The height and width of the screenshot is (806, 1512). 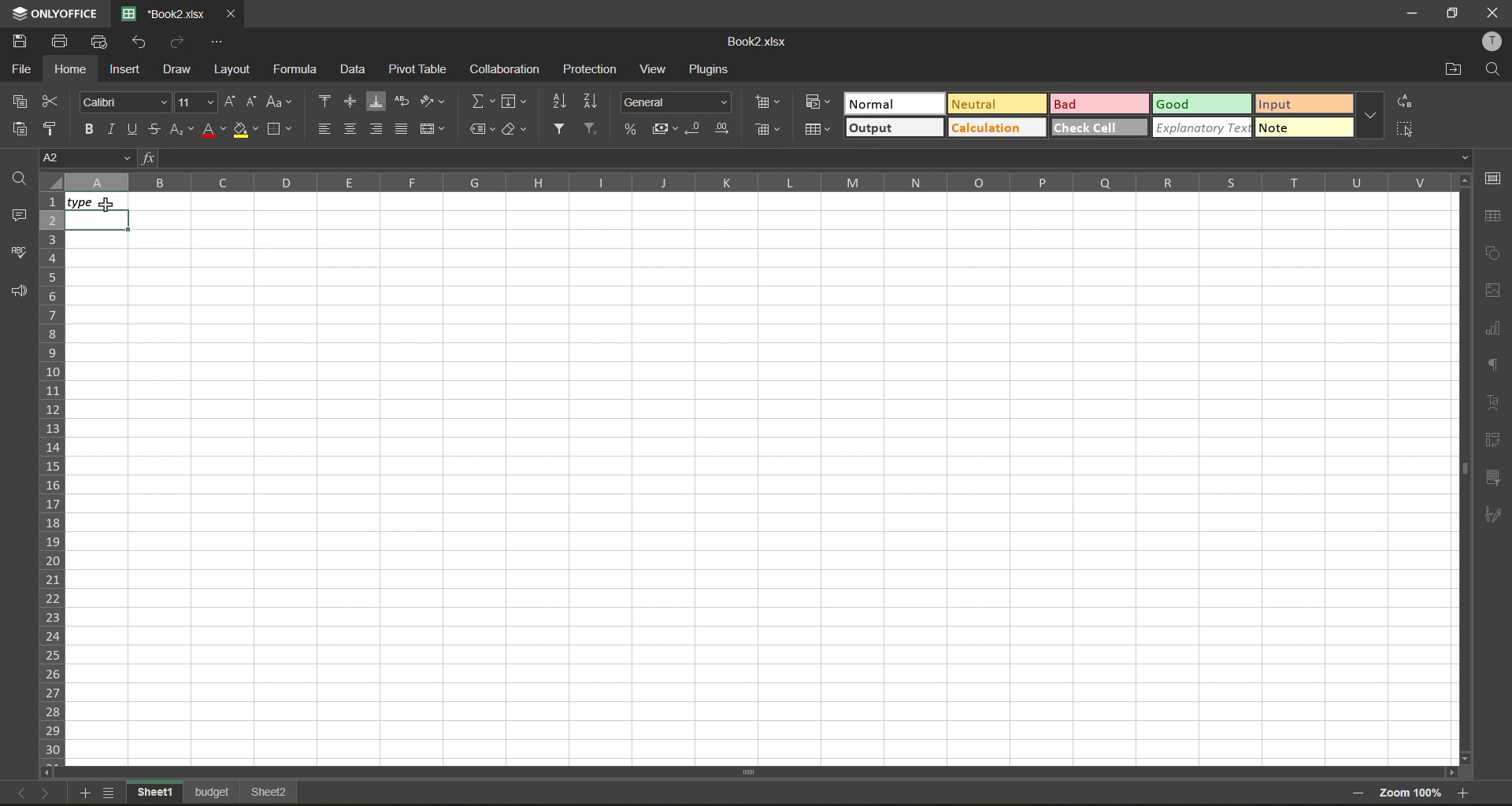 I want to click on undo, so click(x=143, y=43).